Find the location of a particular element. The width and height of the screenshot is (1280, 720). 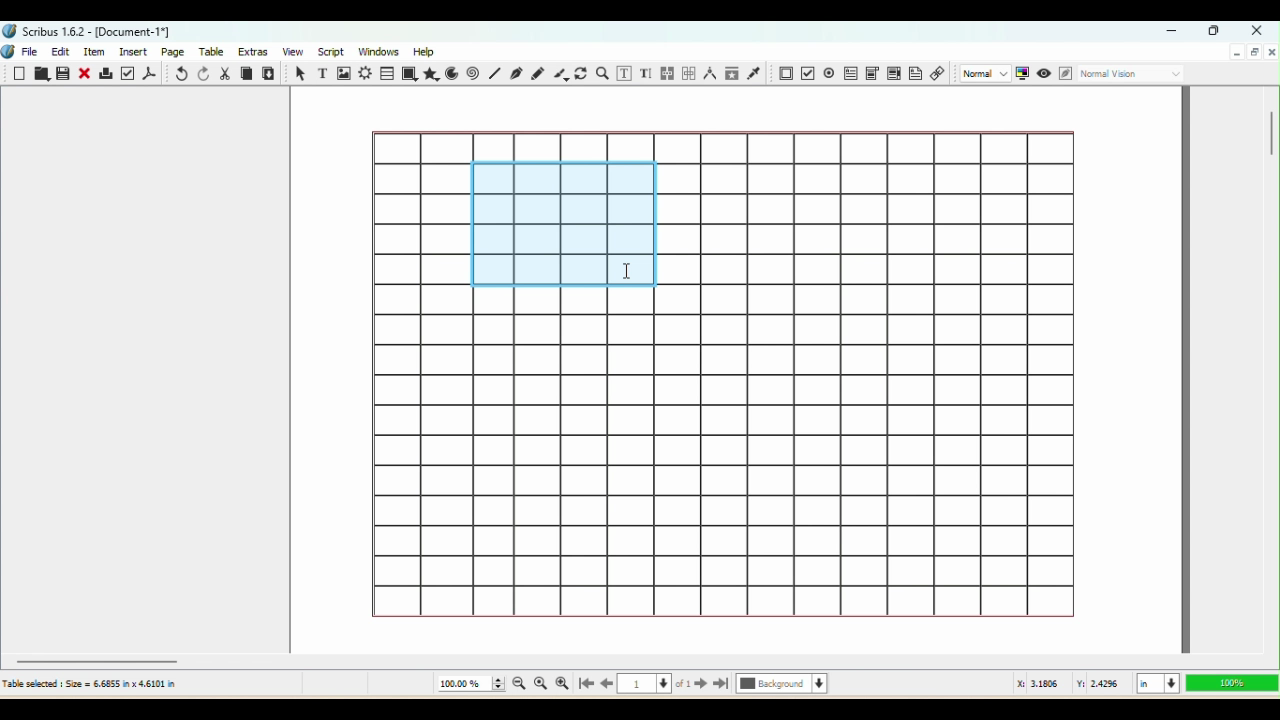

Bezier curve is located at coordinates (517, 75).